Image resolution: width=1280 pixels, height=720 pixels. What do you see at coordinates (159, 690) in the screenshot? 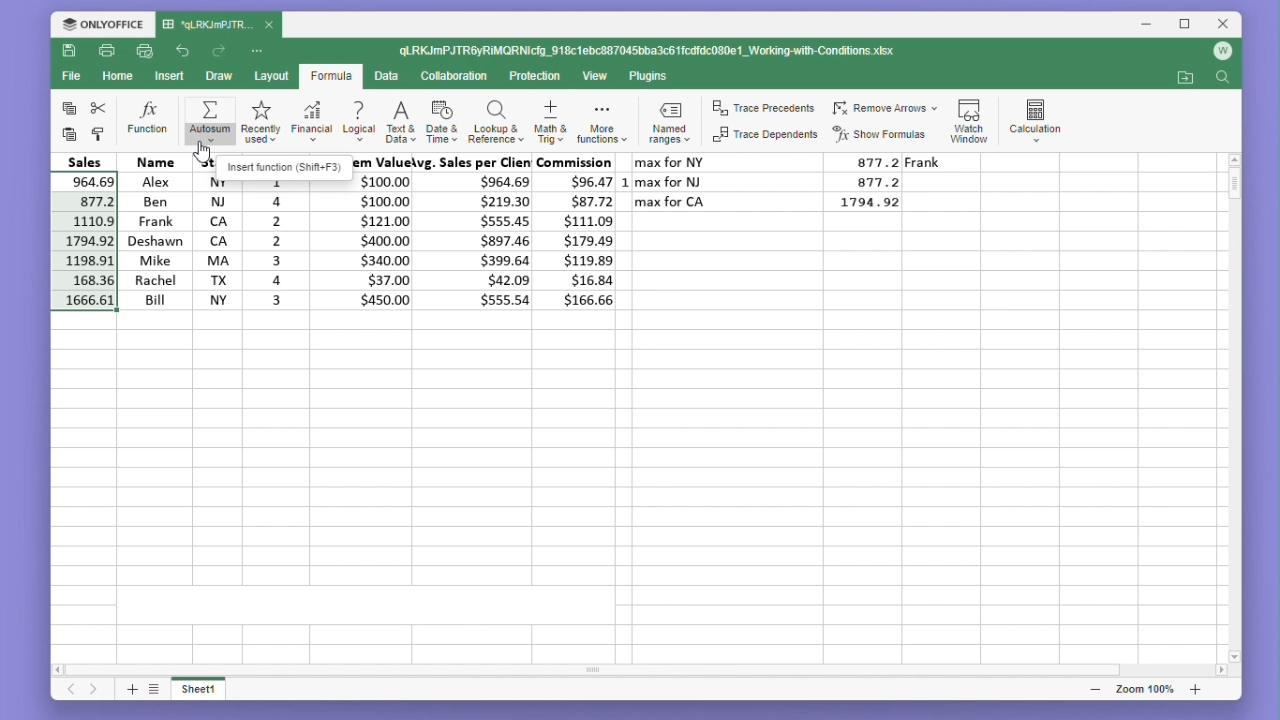
I see `List of sheets` at bounding box center [159, 690].